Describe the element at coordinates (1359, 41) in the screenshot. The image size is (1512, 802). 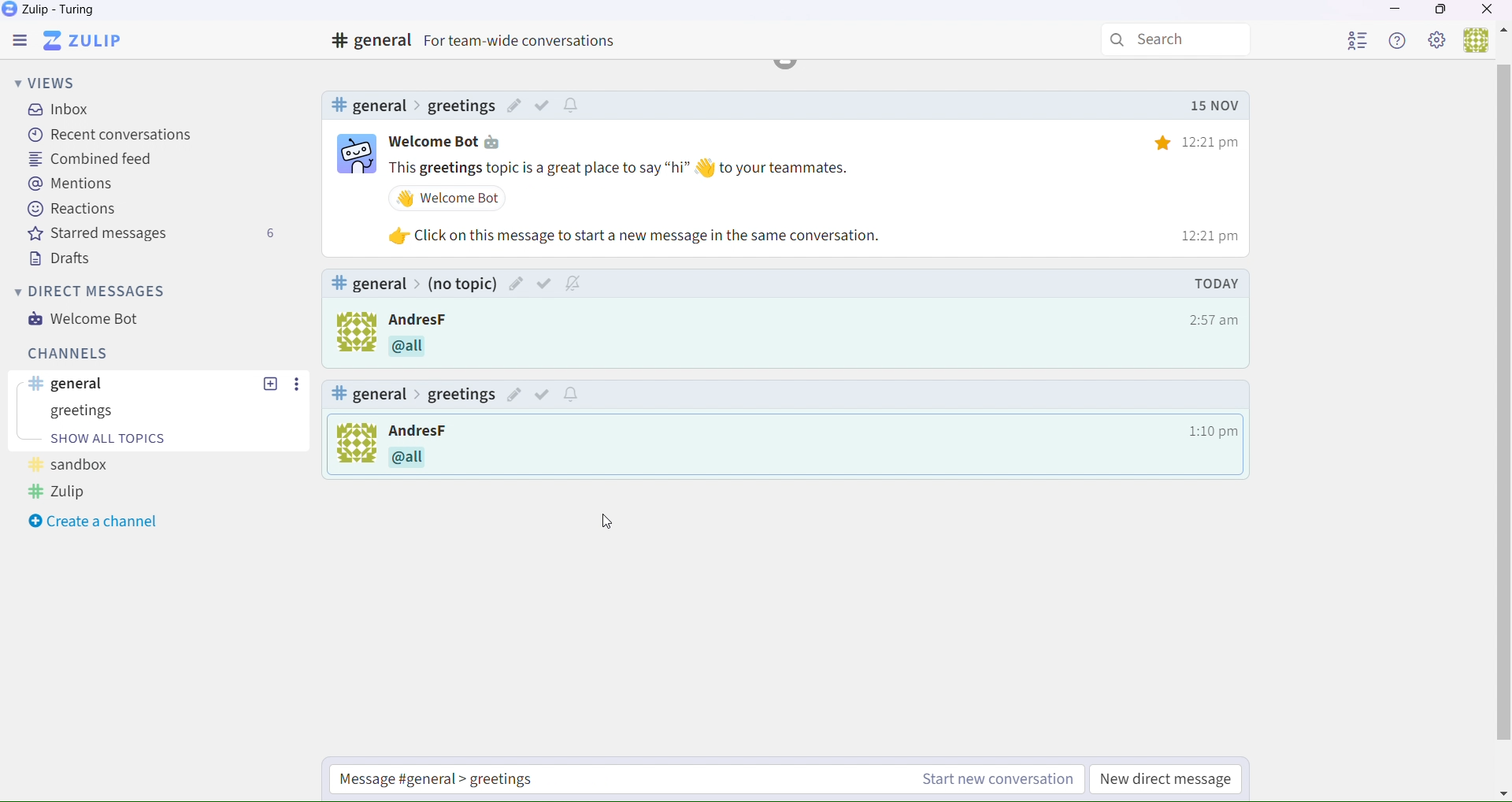
I see `User List` at that location.